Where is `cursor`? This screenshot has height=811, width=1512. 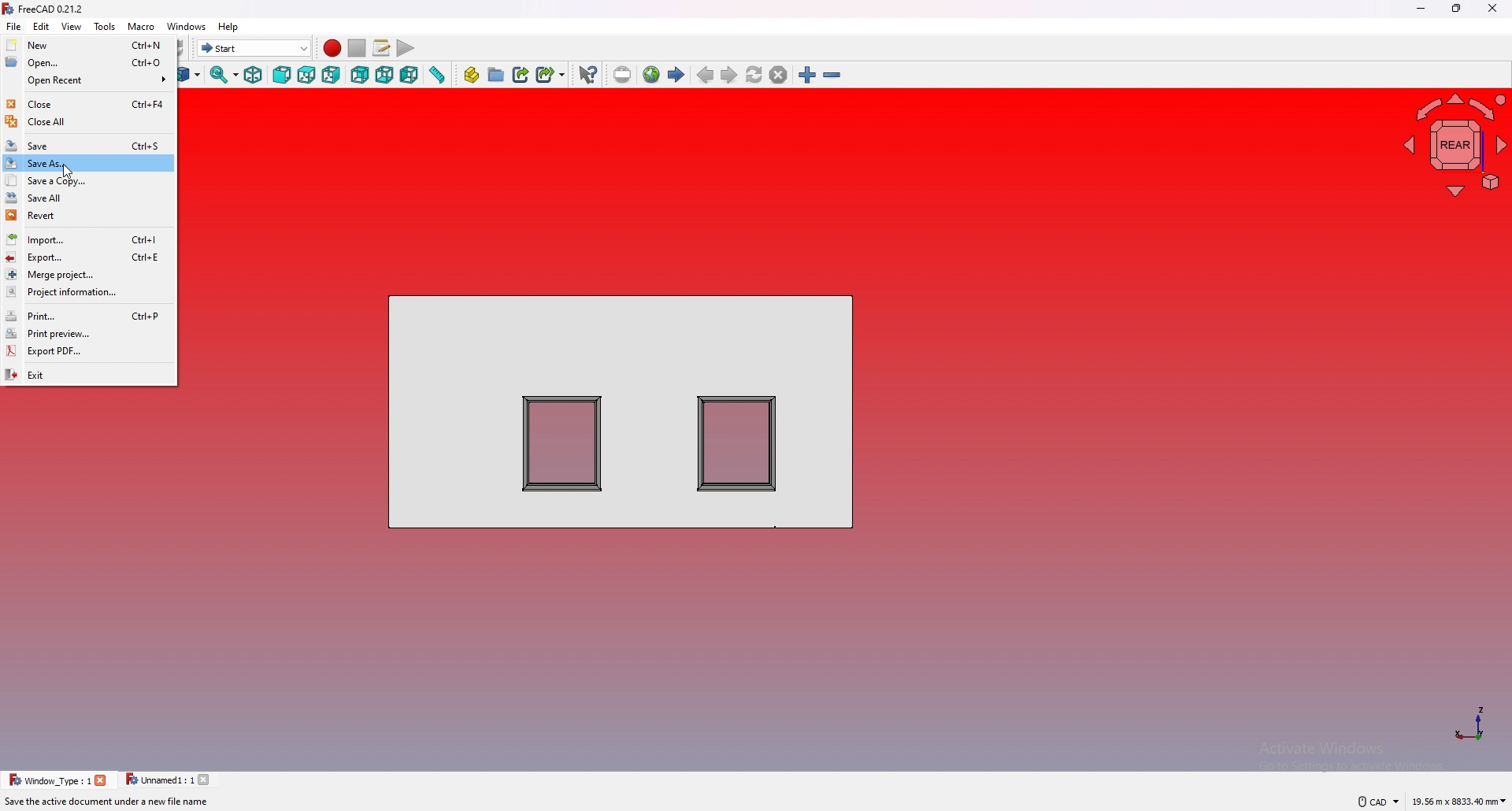 cursor is located at coordinates (70, 172).